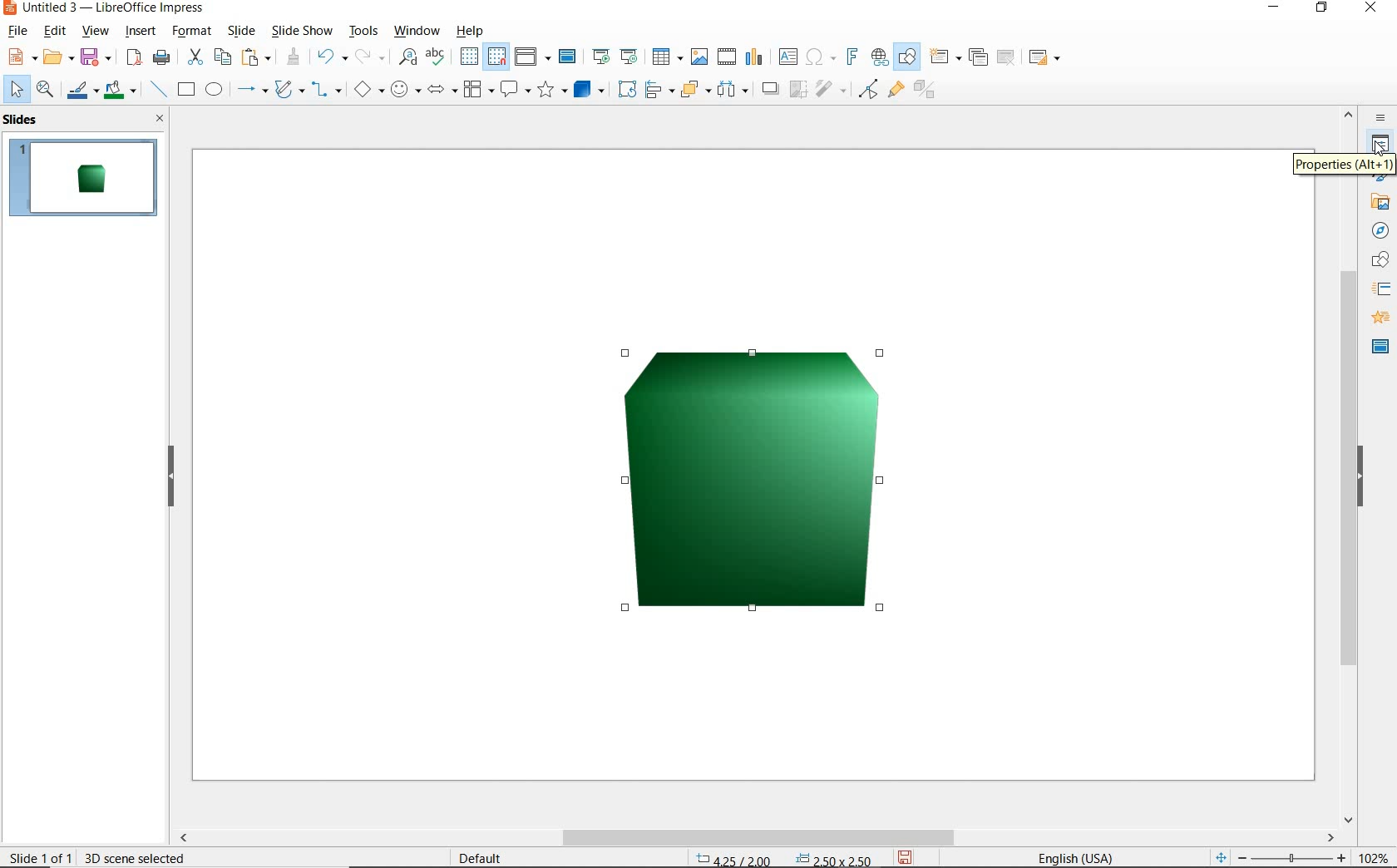  What do you see at coordinates (157, 89) in the screenshot?
I see `insert line` at bounding box center [157, 89].